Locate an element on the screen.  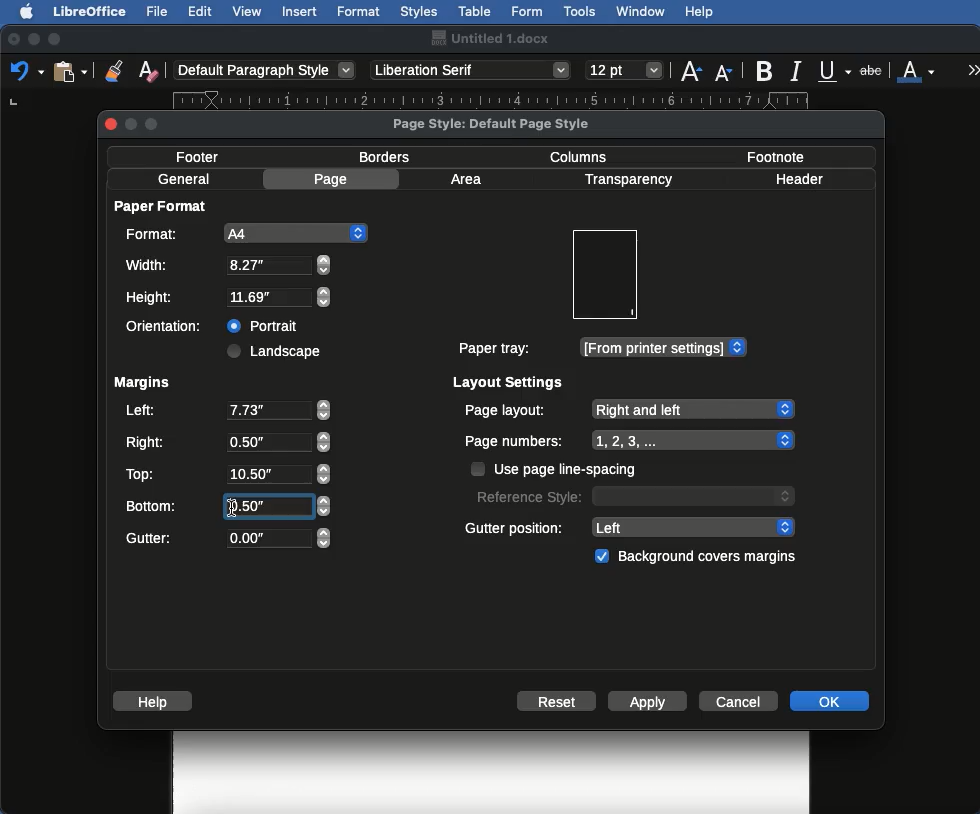
Landscape is located at coordinates (277, 351).